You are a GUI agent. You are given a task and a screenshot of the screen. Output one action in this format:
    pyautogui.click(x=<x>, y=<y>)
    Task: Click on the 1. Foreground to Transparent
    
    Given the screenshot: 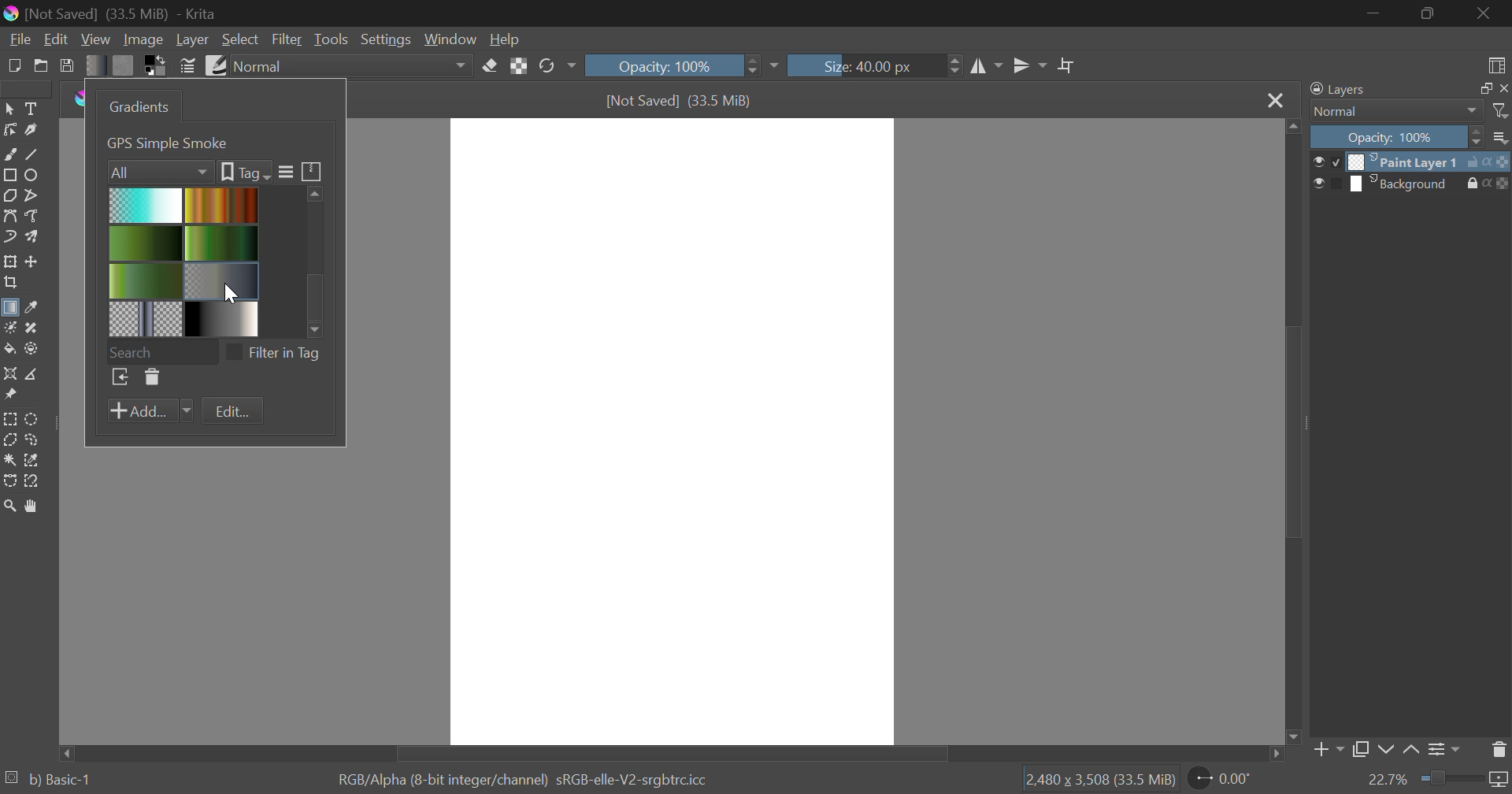 What is the action you would take?
    pyautogui.click(x=202, y=142)
    